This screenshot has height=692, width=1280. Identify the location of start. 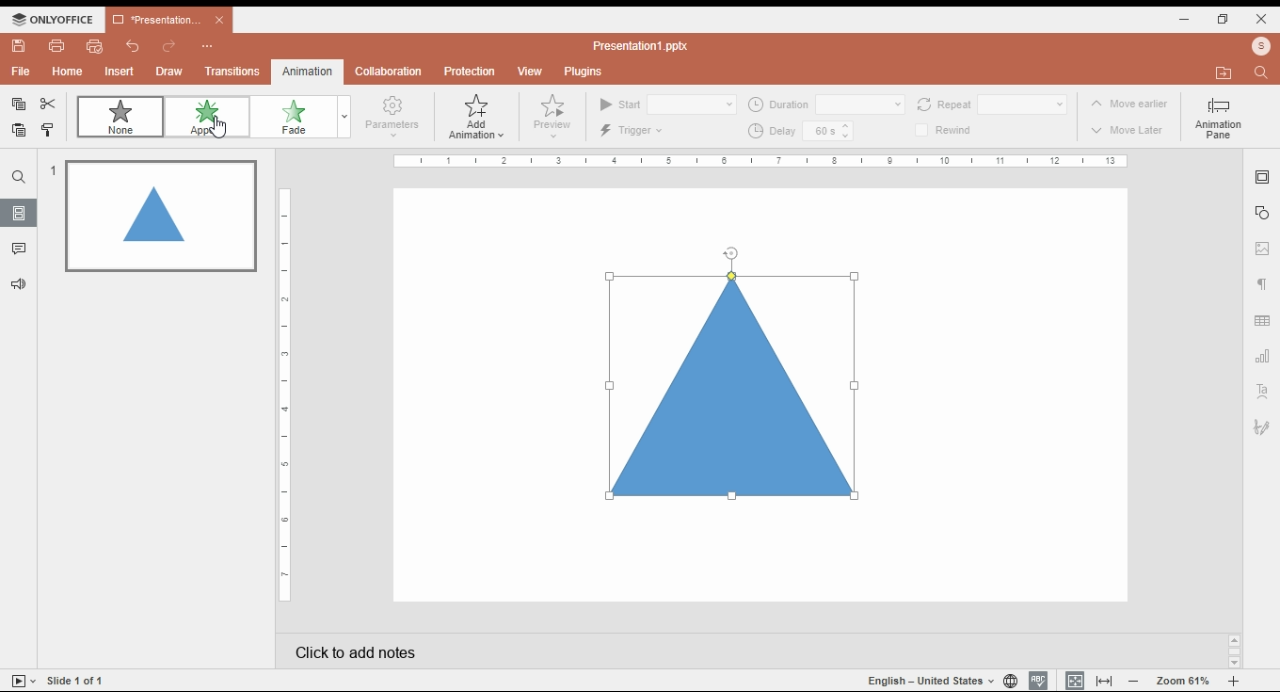
(621, 104).